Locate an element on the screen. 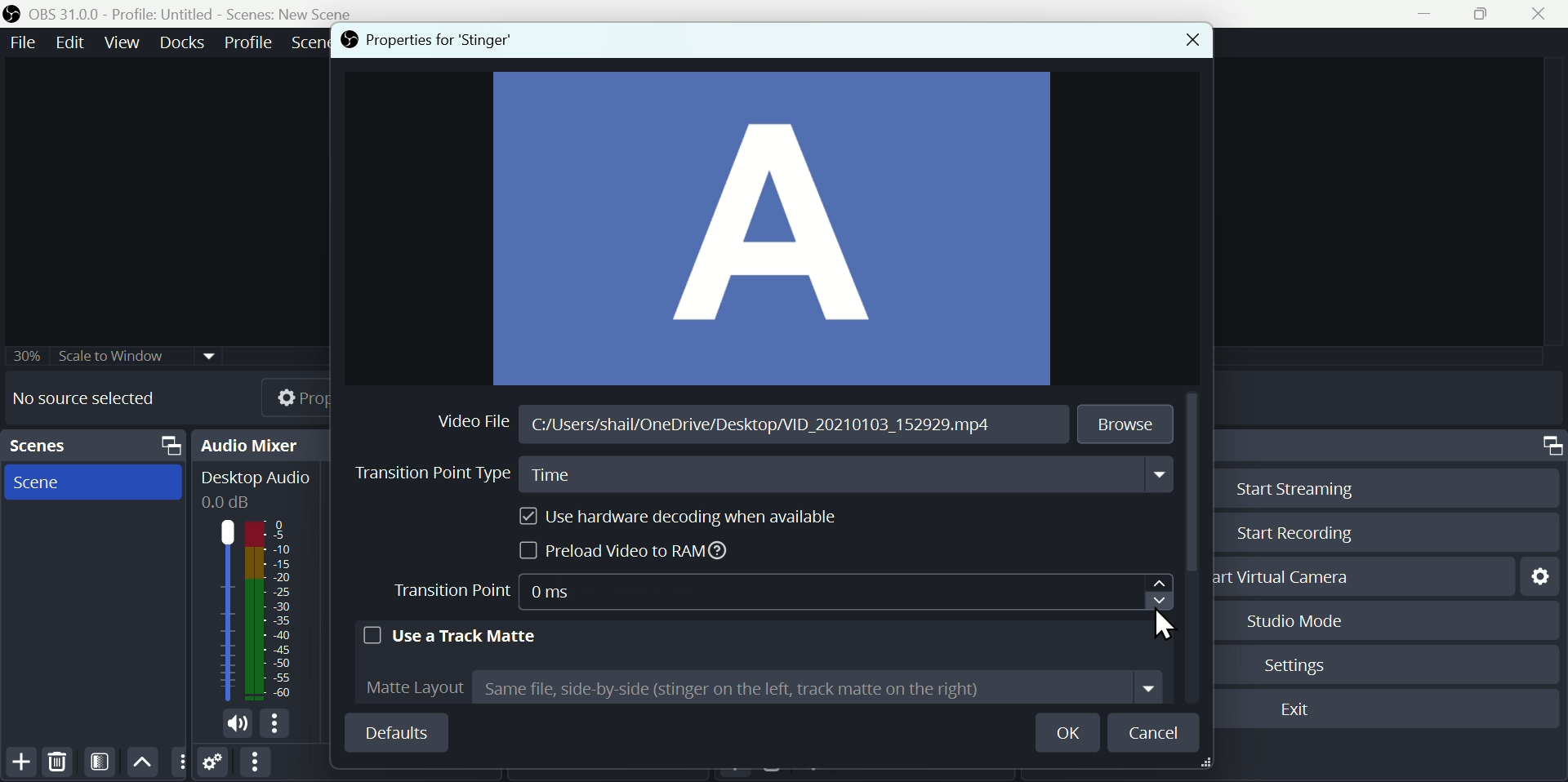 This screenshot has height=782, width=1568. 0MS is located at coordinates (579, 591).